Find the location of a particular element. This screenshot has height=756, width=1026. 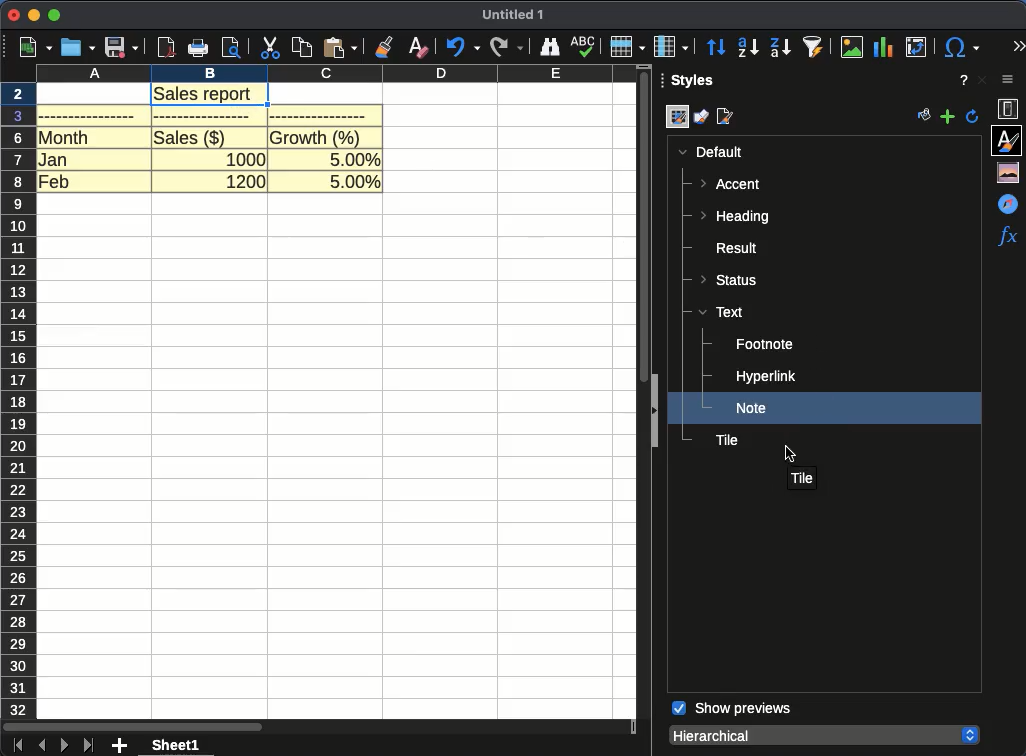

pivot table is located at coordinates (914, 48).